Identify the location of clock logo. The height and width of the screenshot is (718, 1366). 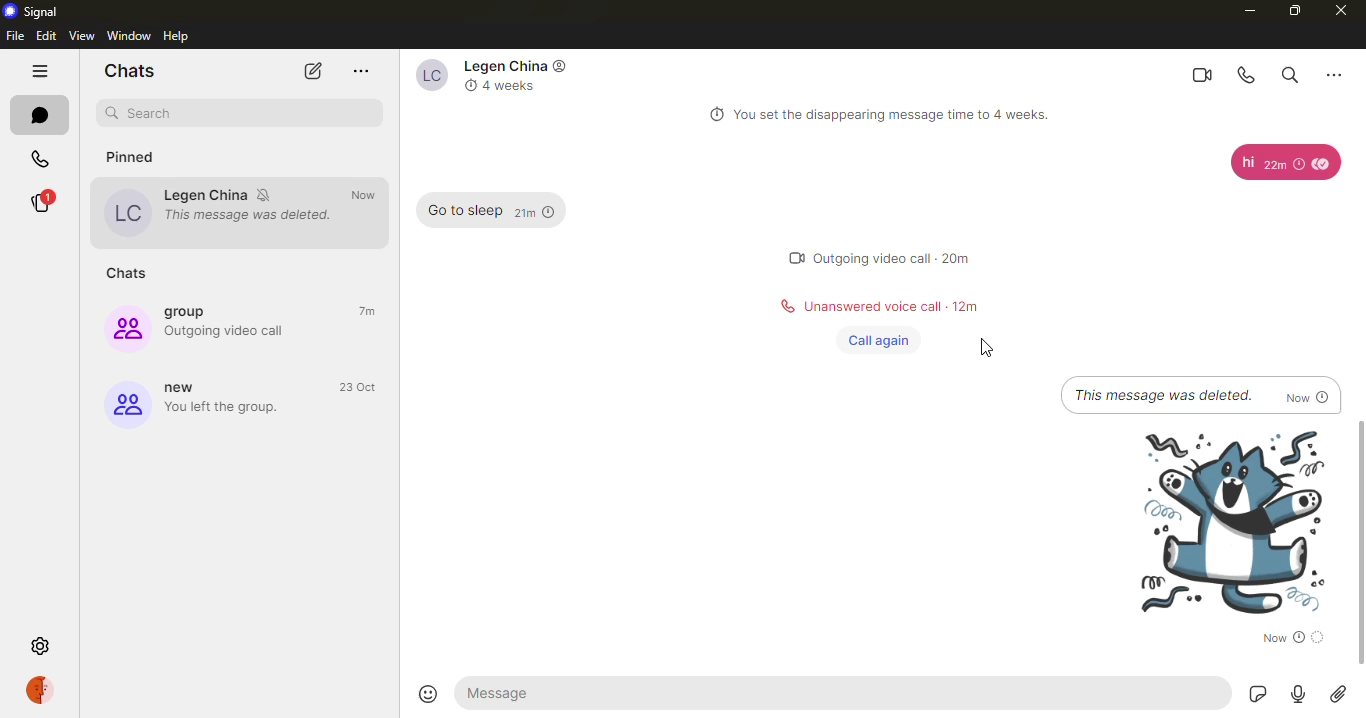
(469, 85).